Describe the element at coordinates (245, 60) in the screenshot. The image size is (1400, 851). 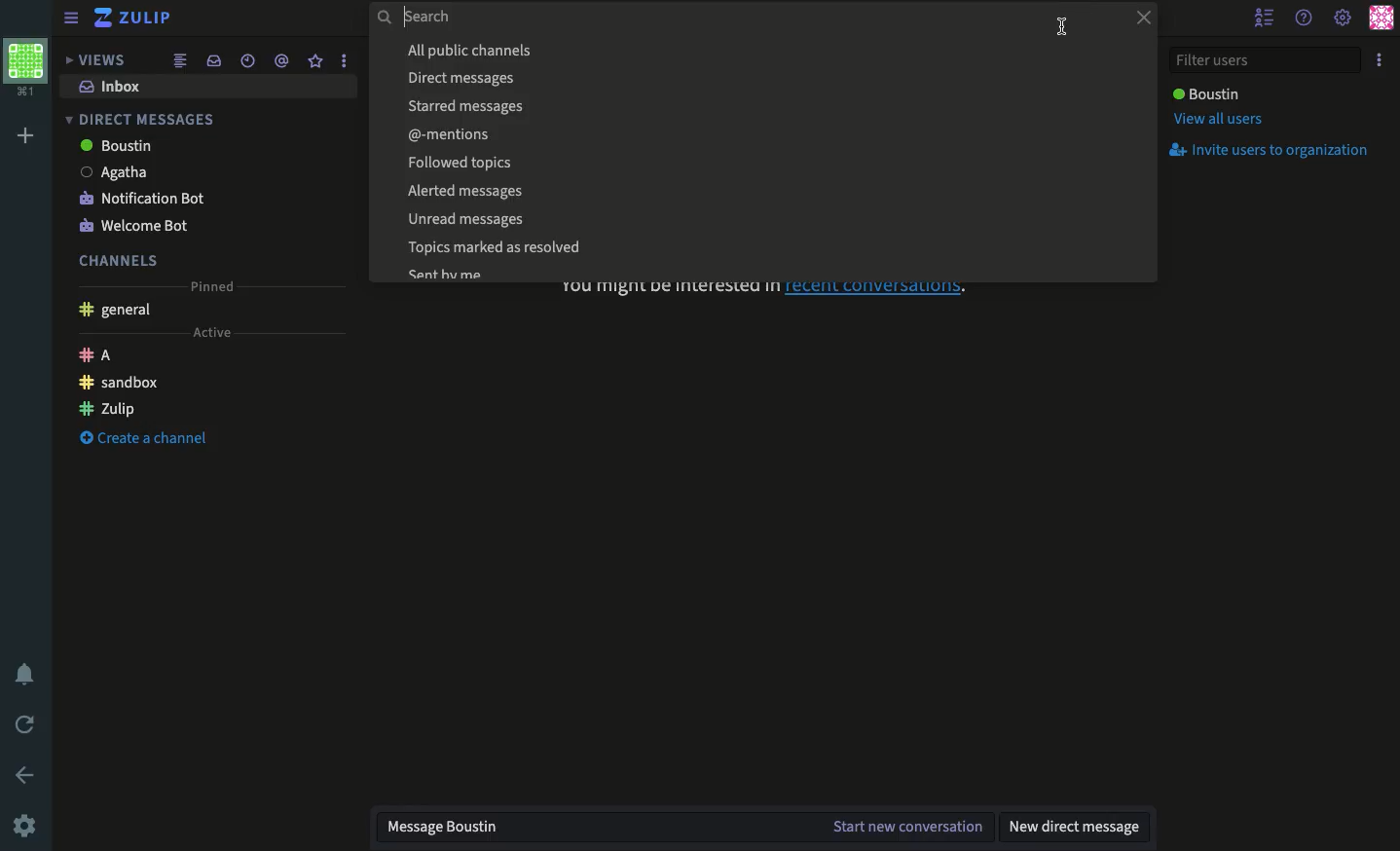
I see `Time` at that location.